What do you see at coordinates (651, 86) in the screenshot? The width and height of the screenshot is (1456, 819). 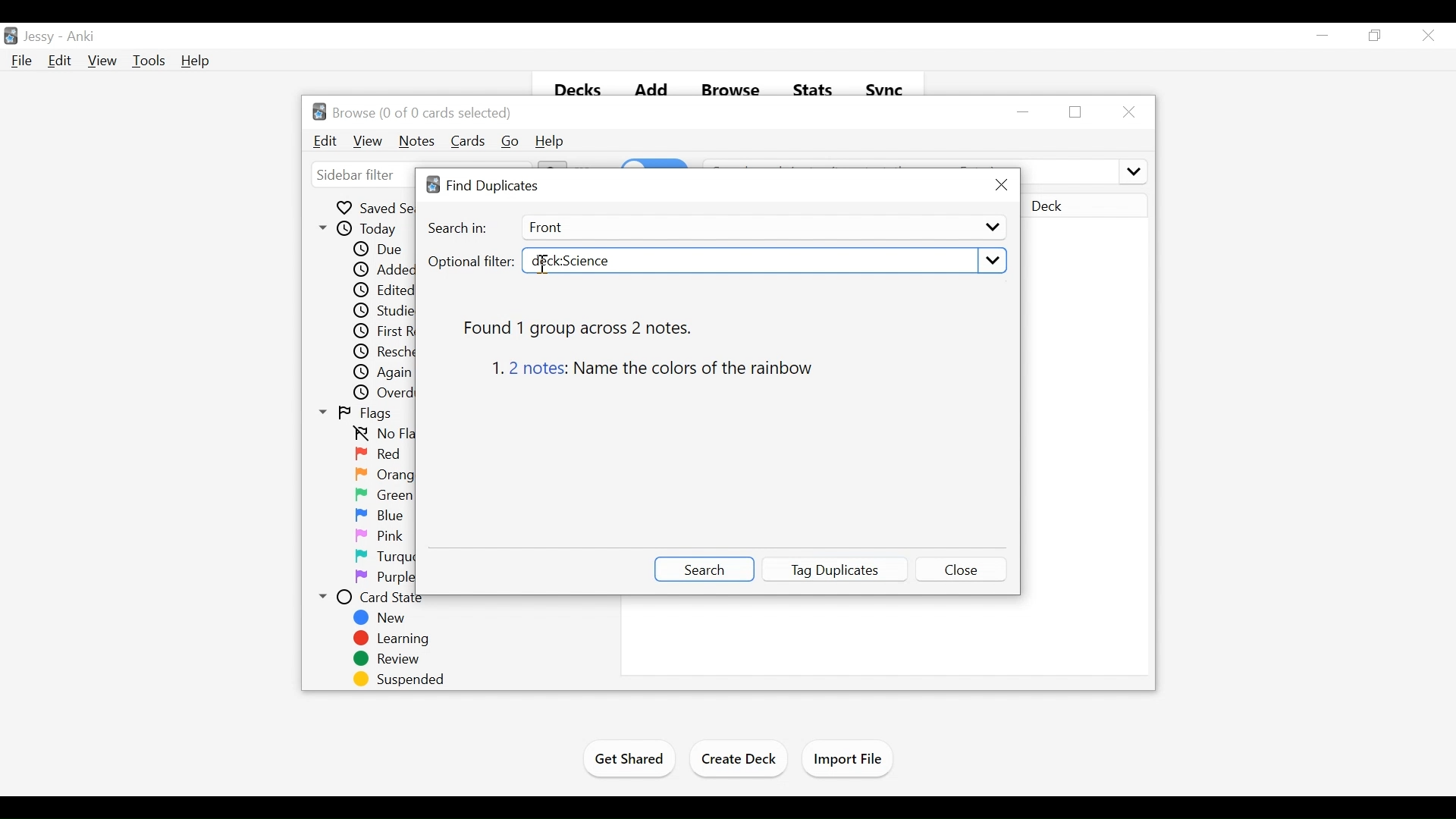 I see `Add` at bounding box center [651, 86].